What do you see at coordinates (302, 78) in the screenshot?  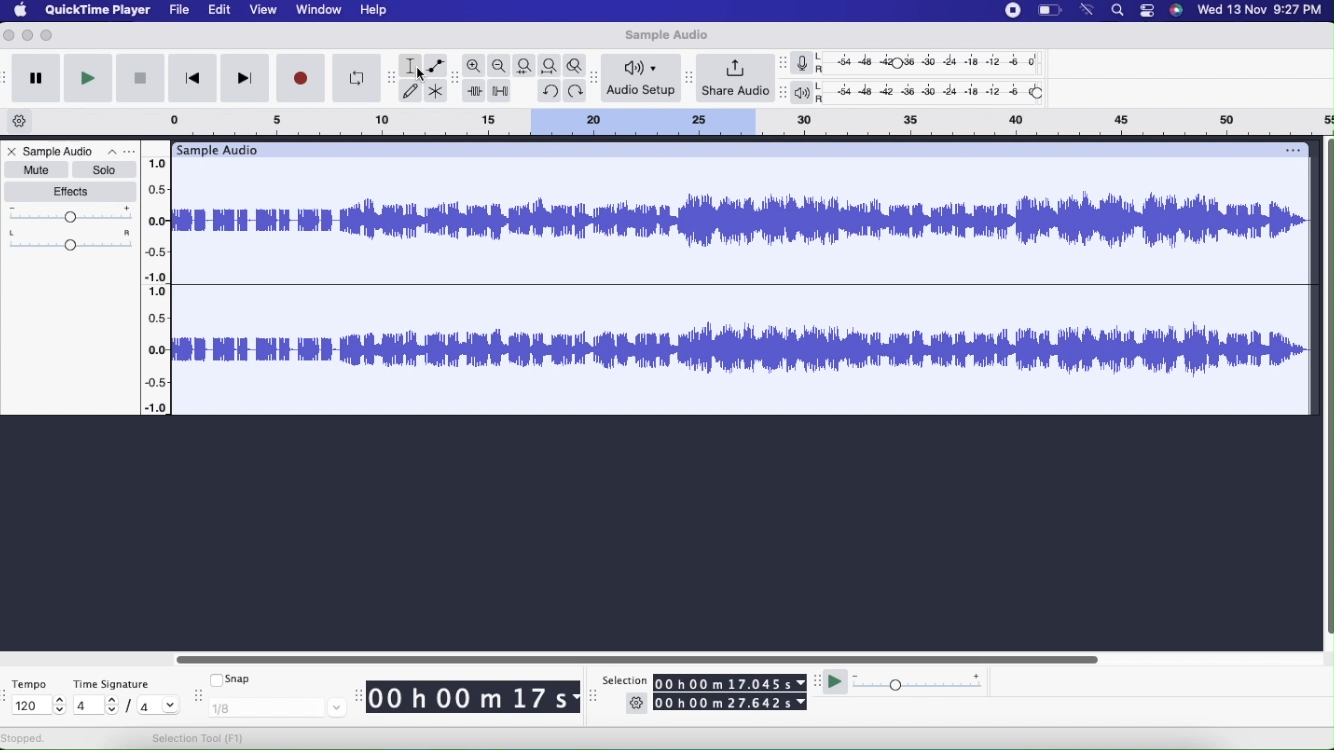 I see `Record` at bounding box center [302, 78].